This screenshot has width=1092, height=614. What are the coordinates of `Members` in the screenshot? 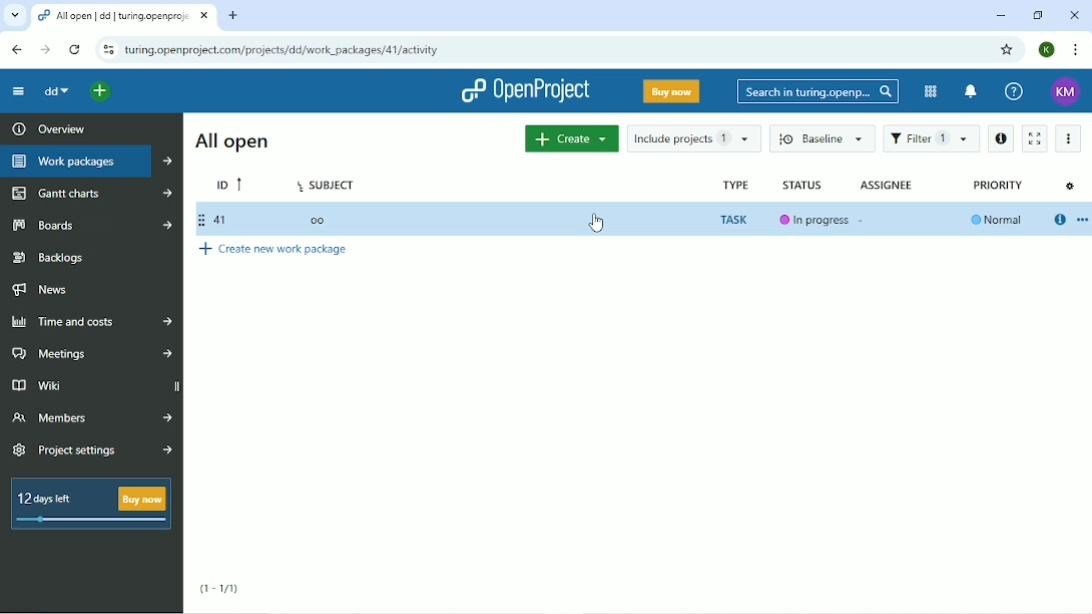 It's located at (92, 416).